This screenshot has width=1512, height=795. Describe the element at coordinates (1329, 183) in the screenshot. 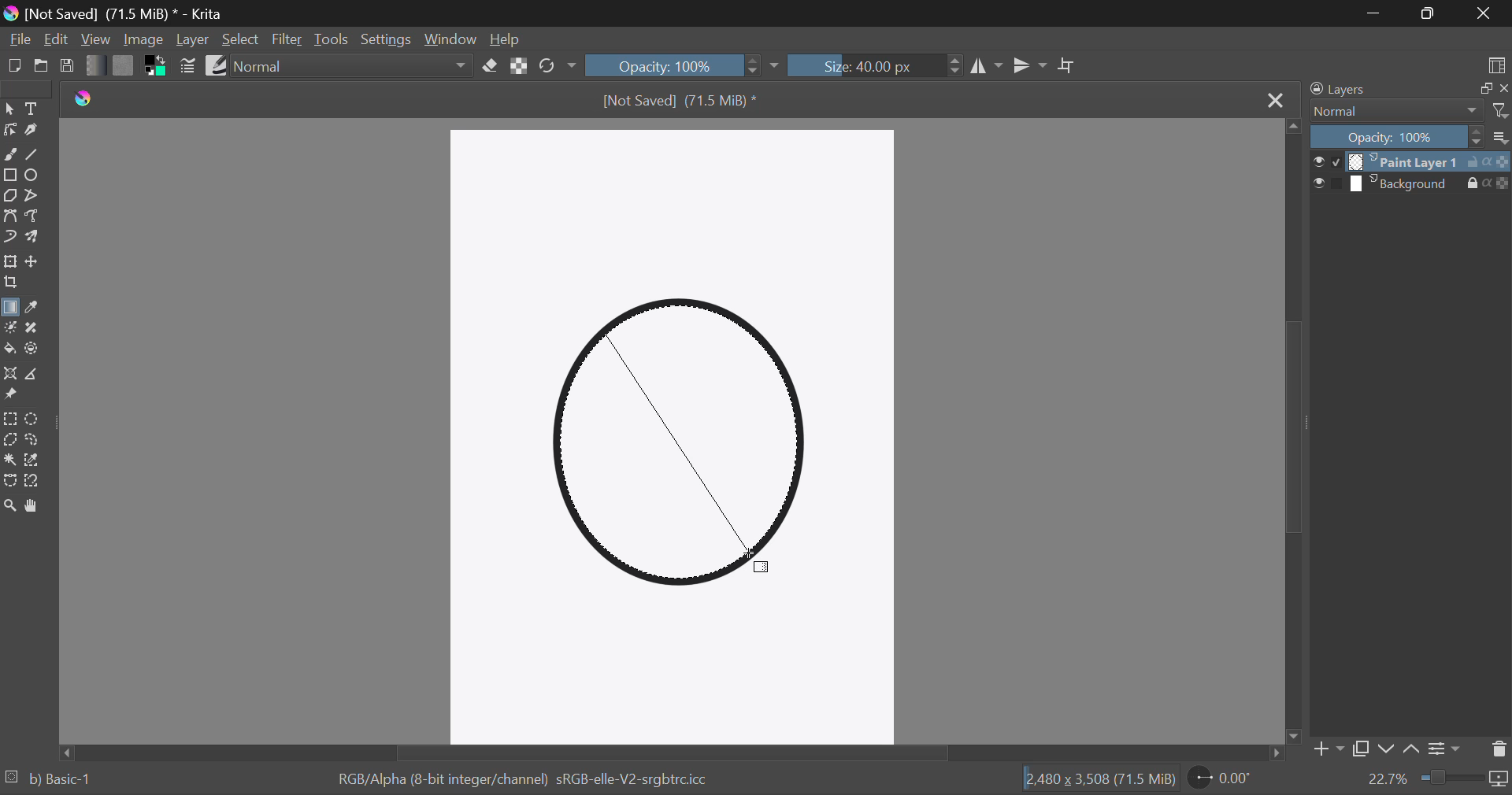

I see `checkbox` at that location.